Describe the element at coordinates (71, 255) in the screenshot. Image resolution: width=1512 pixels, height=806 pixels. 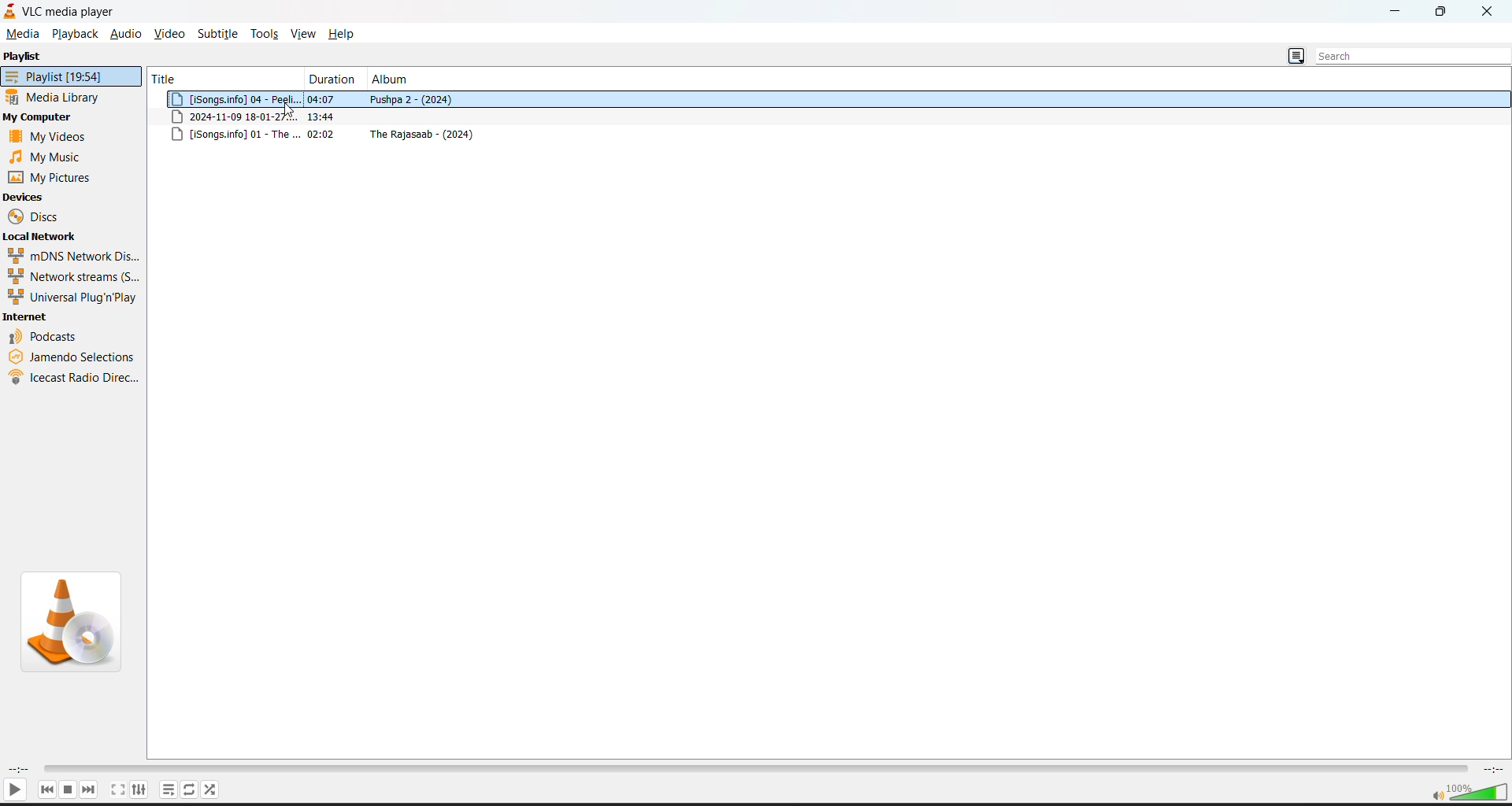
I see `dns network` at that location.